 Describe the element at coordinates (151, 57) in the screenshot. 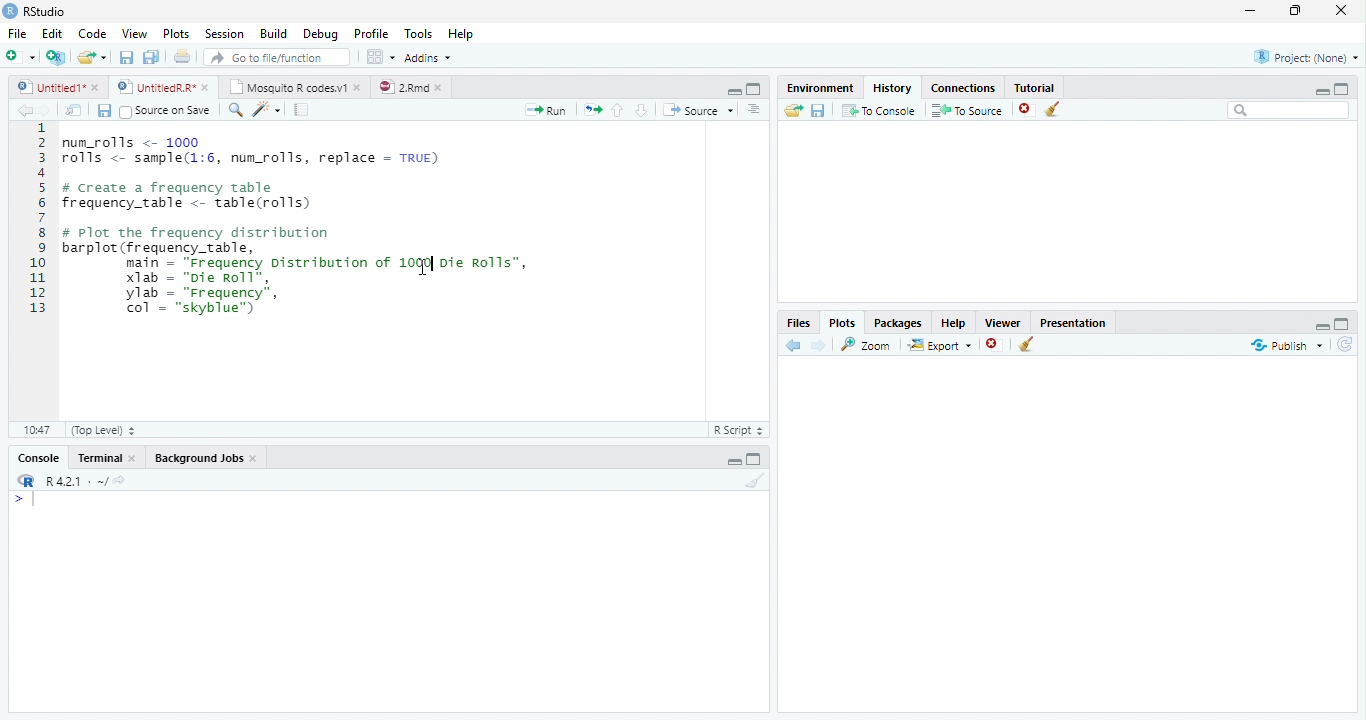

I see `Save all open files` at that location.